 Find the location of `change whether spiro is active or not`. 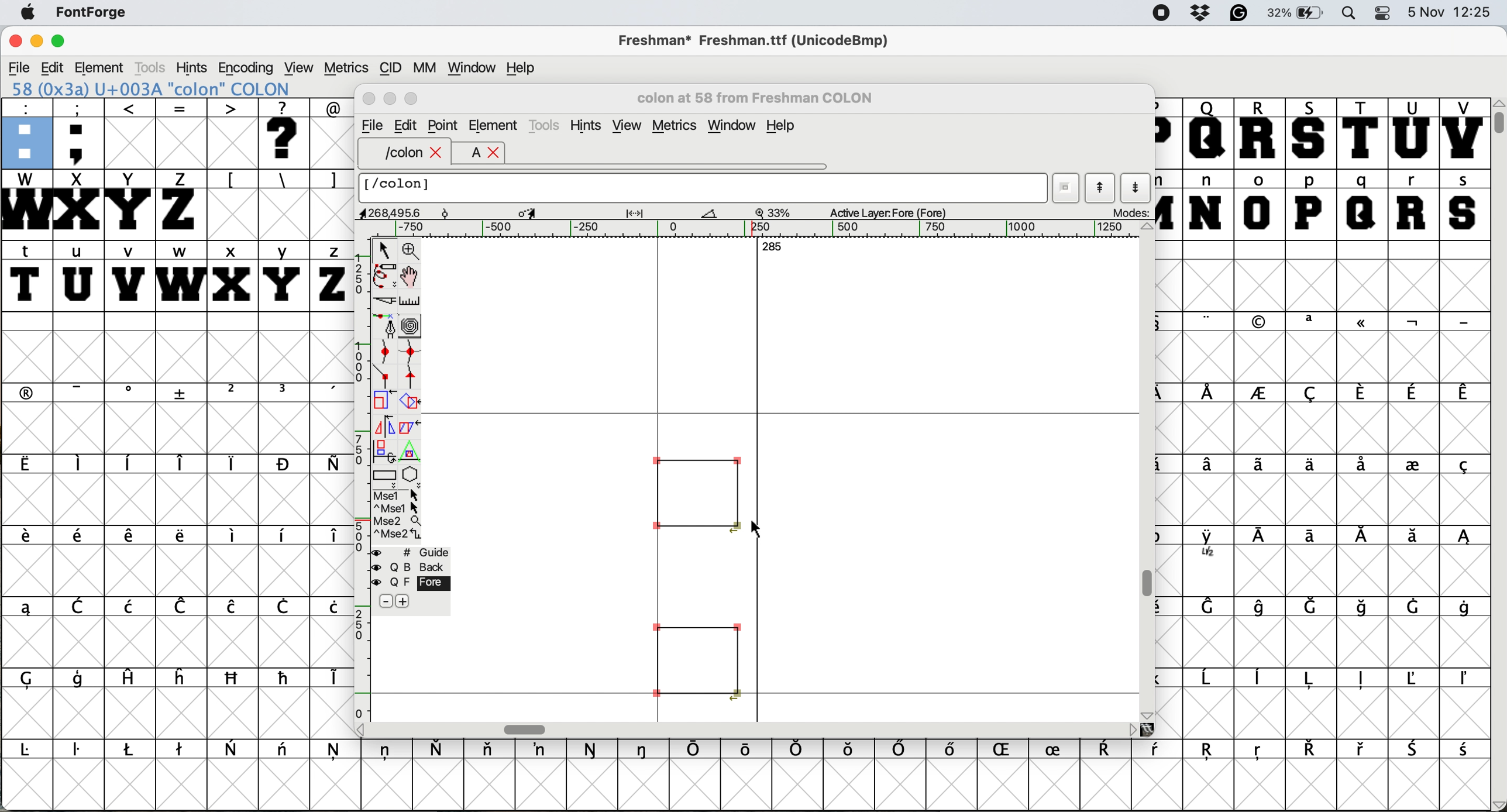

change whether spiro is active or not is located at coordinates (413, 324).